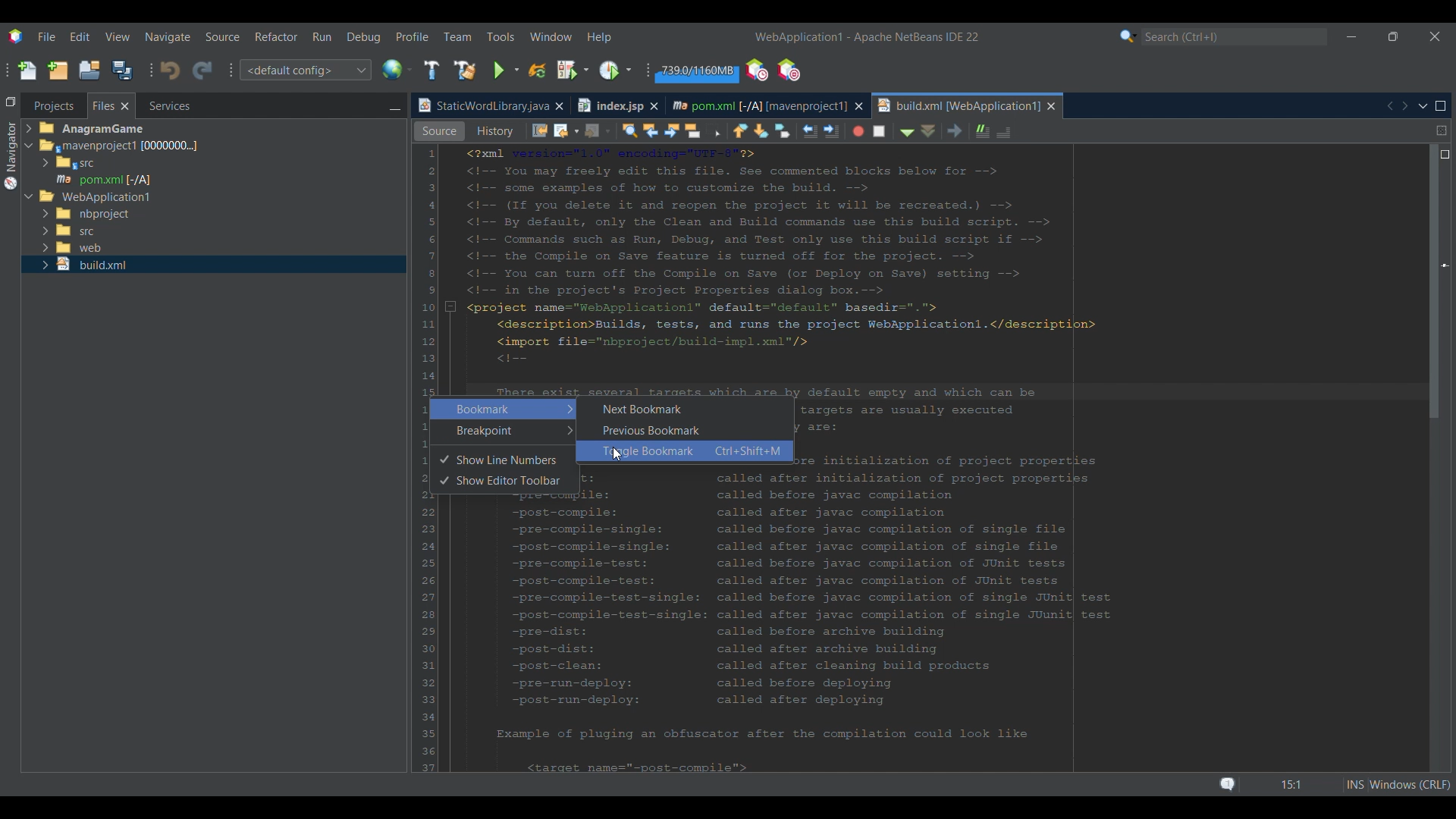 Image resolution: width=1456 pixels, height=819 pixels. What do you see at coordinates (559, 106) in the screenshot?
I see `Close tab` at bounding box center [559, 106].